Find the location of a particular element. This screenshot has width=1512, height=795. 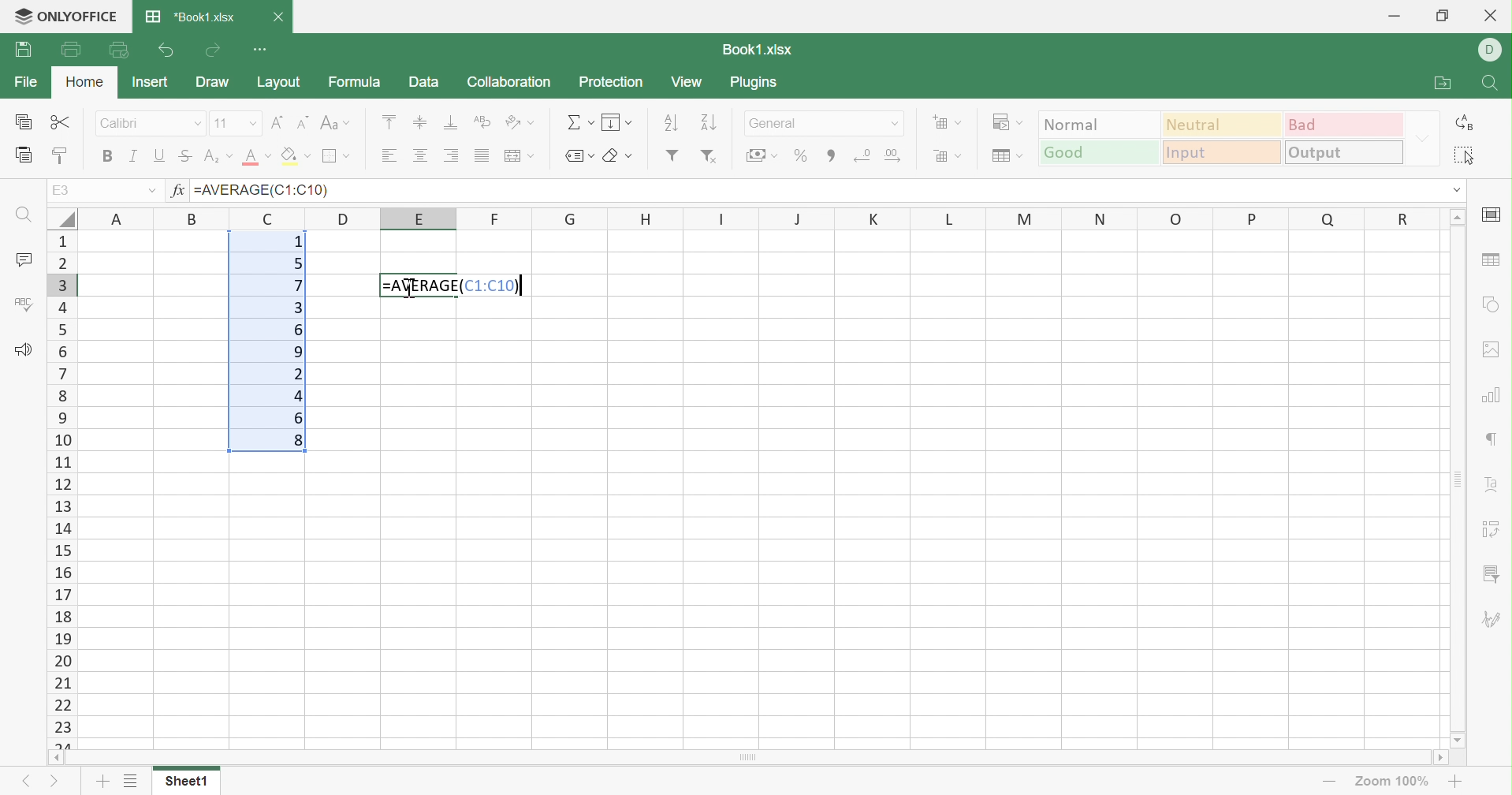

Comments is located at coordinates (23, 260).